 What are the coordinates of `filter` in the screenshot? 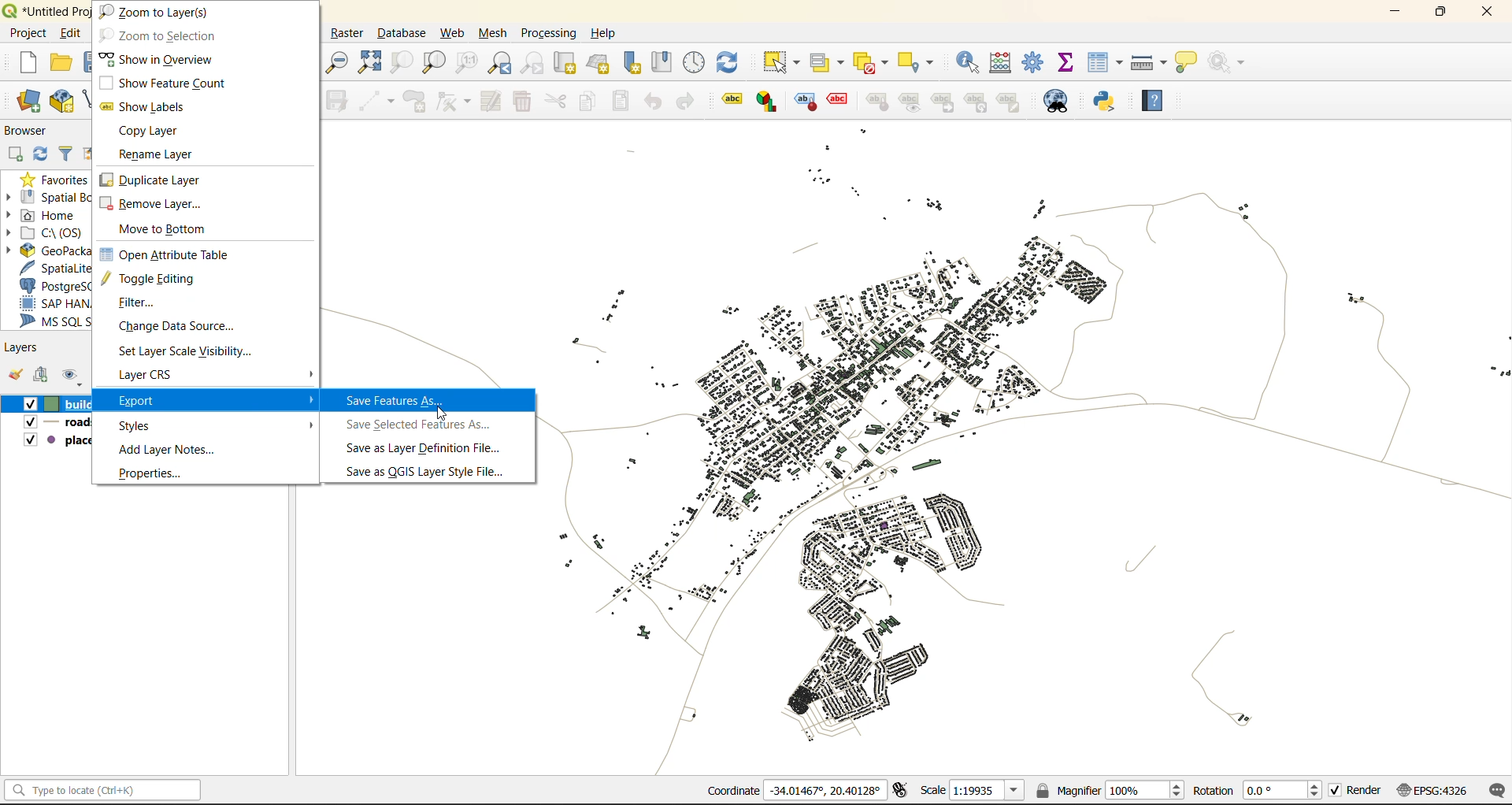 It's located at (138, 305).